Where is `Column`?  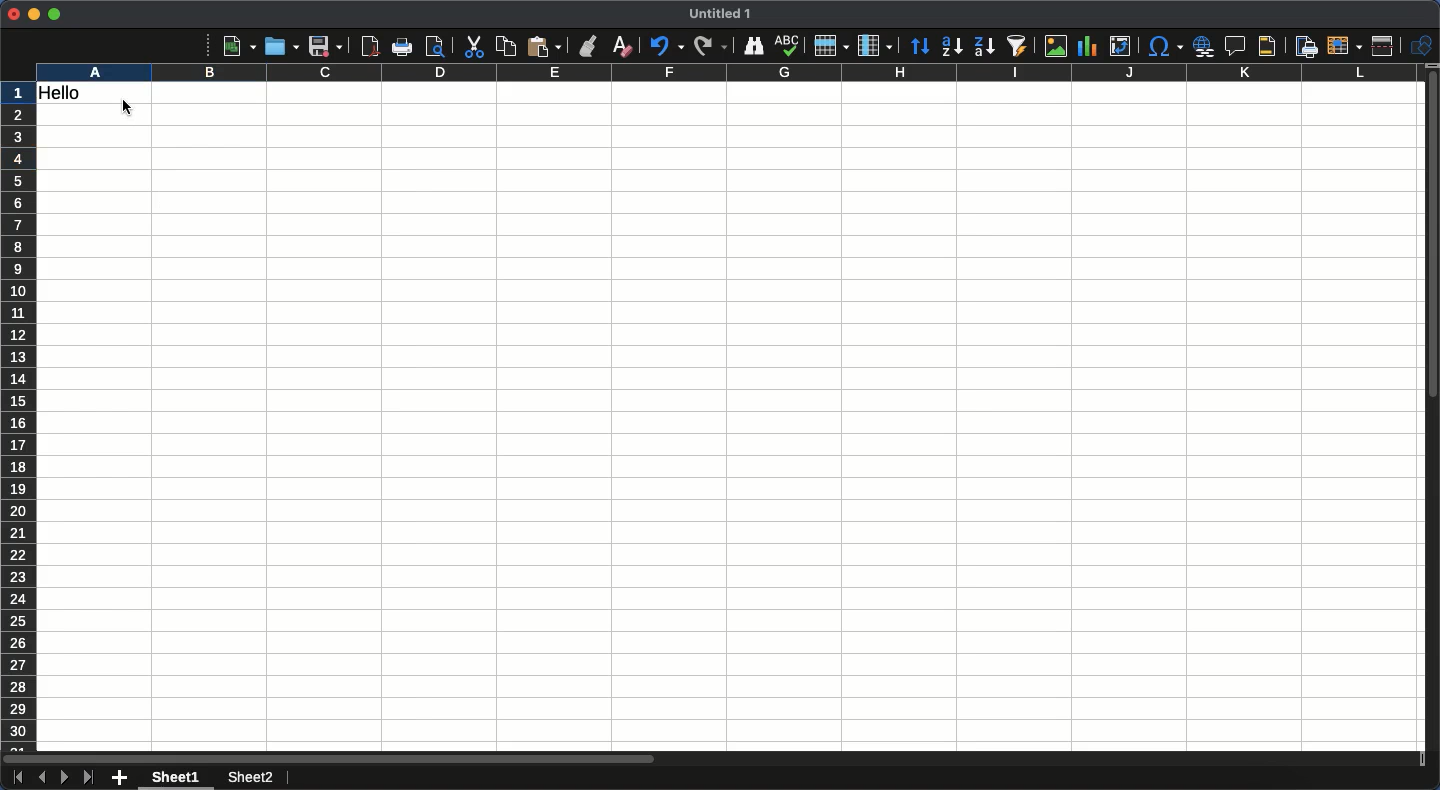 Column is located at coordinates (877, 46).